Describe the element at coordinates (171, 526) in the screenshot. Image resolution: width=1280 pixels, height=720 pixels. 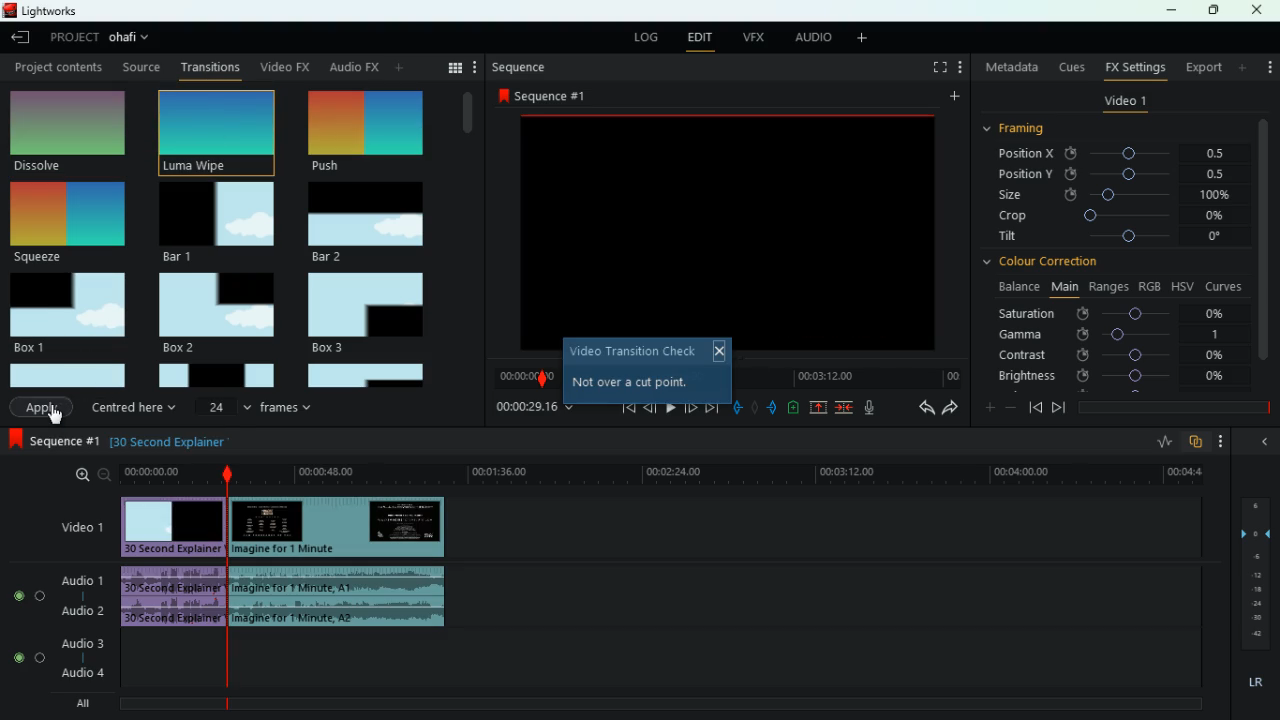
I see `video` at that location.